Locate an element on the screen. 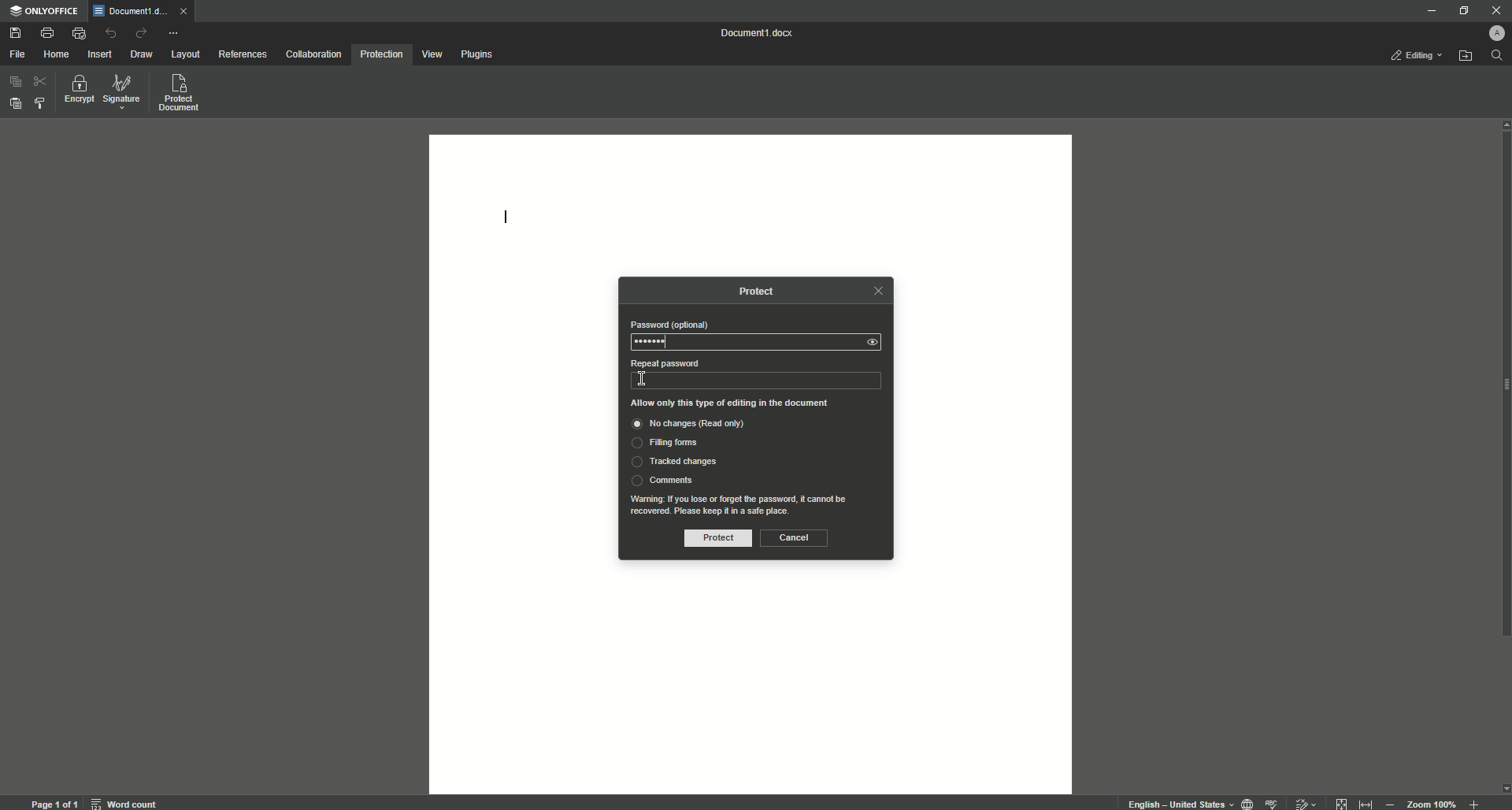  Encrypt is located at coordinates (76, 91).